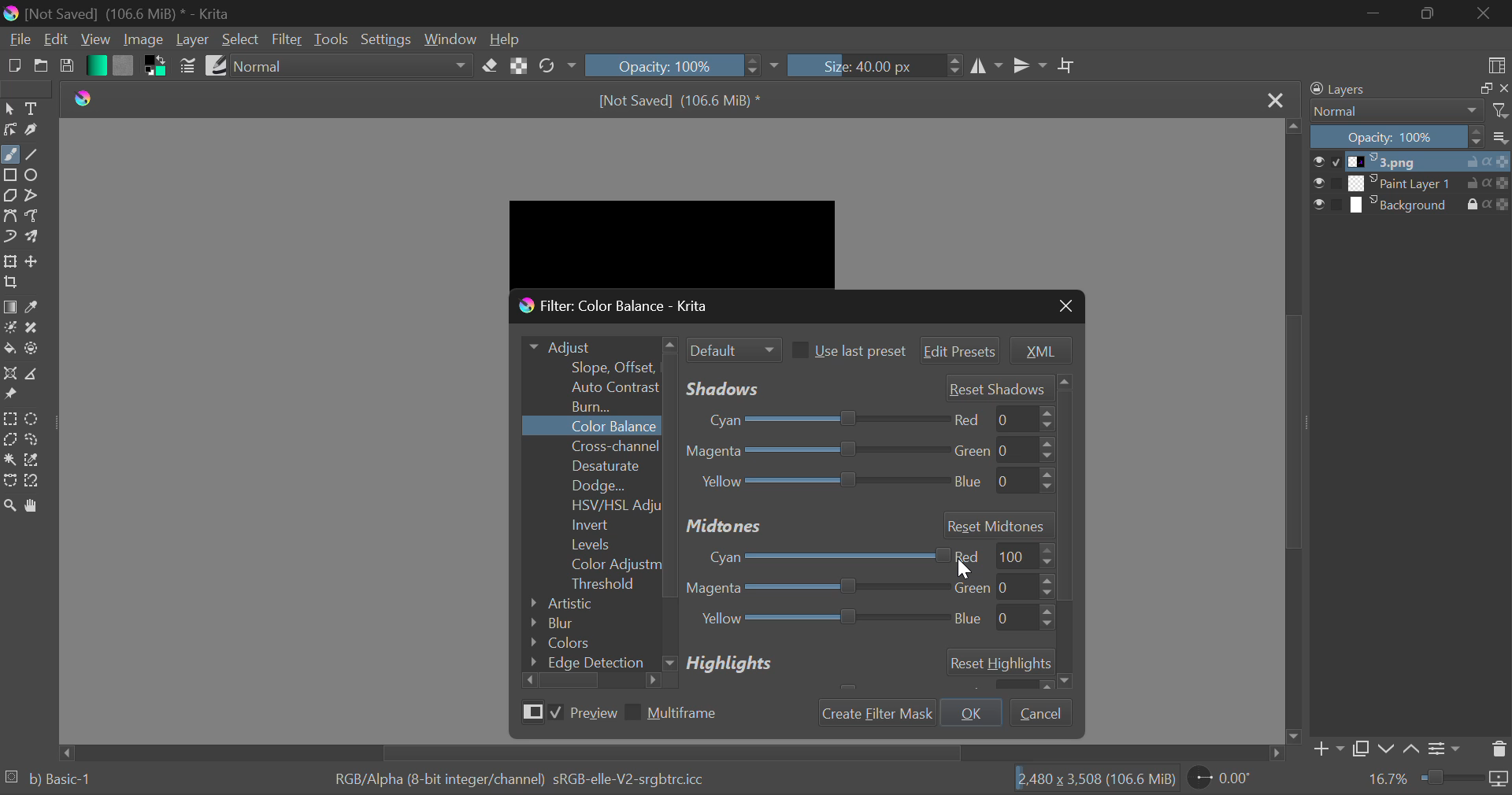 This screenshot has width=1512, height=795. What do you see at coordinates (9, 375) in the screenshot?
I see `Assistant Tool` at bounding box center [9, 375].